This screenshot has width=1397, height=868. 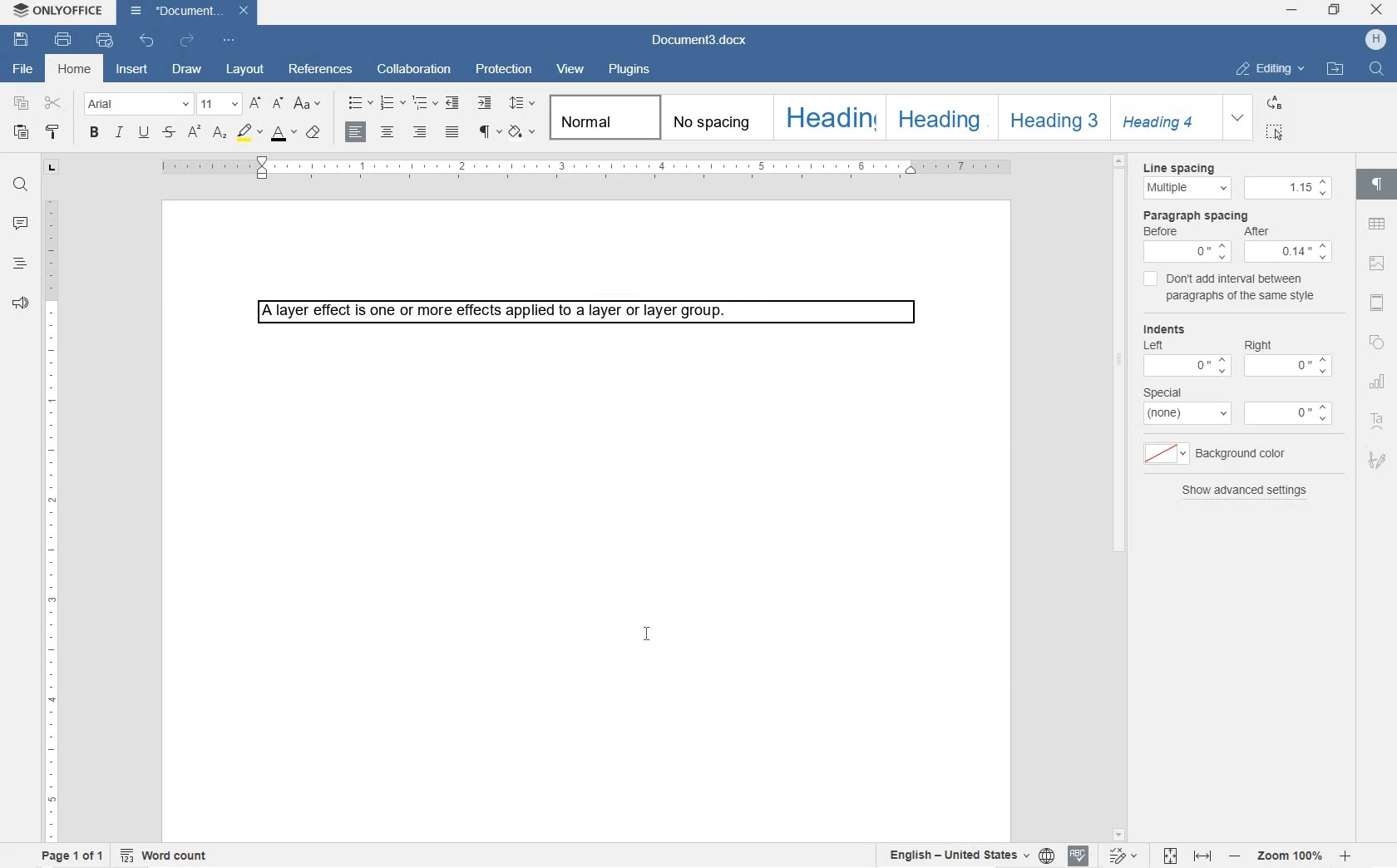 I want to click on OPEN FILE LOCATION, so click(x=1335, y=70).